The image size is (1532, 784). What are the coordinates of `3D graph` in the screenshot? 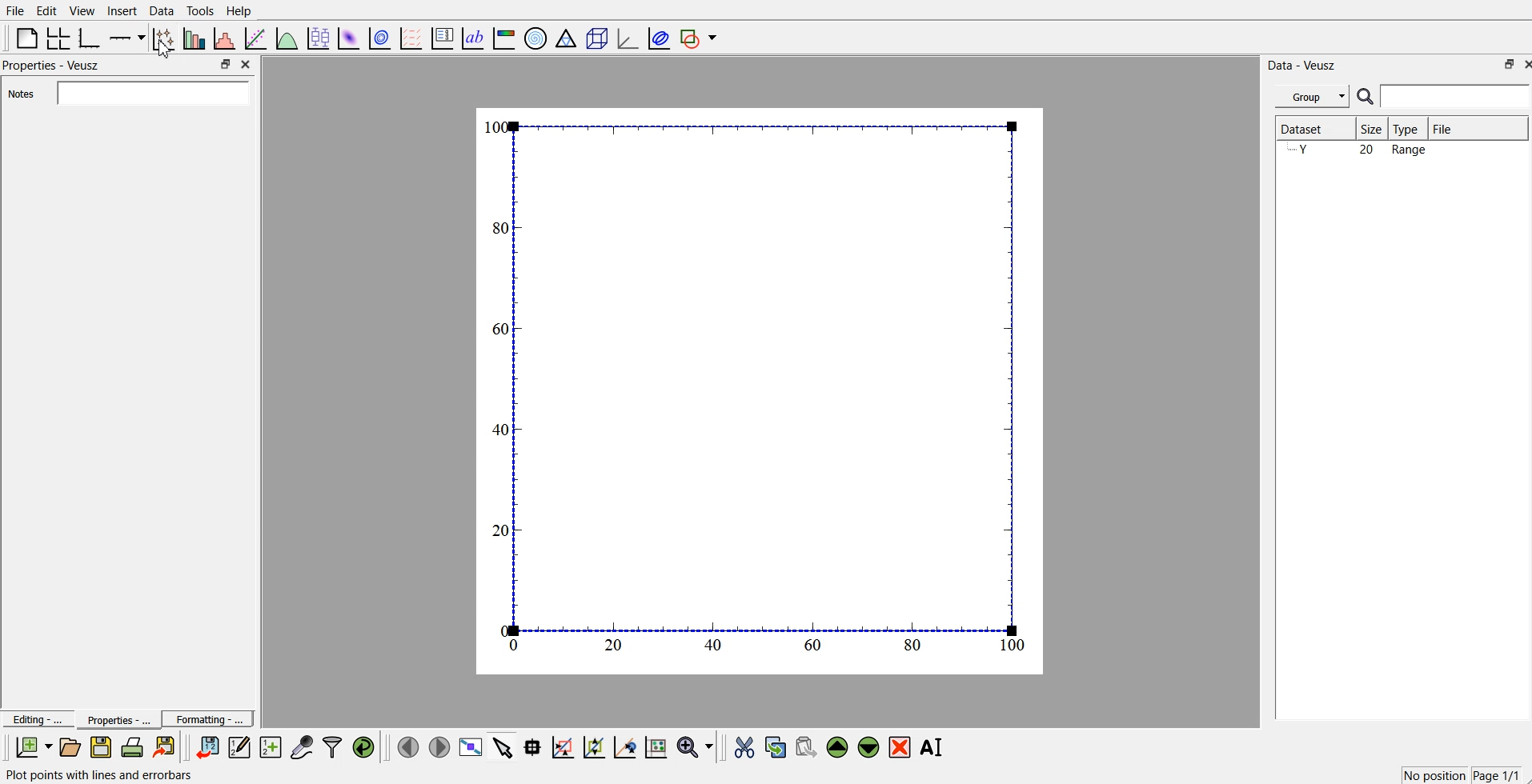 It's located at (626, 38).